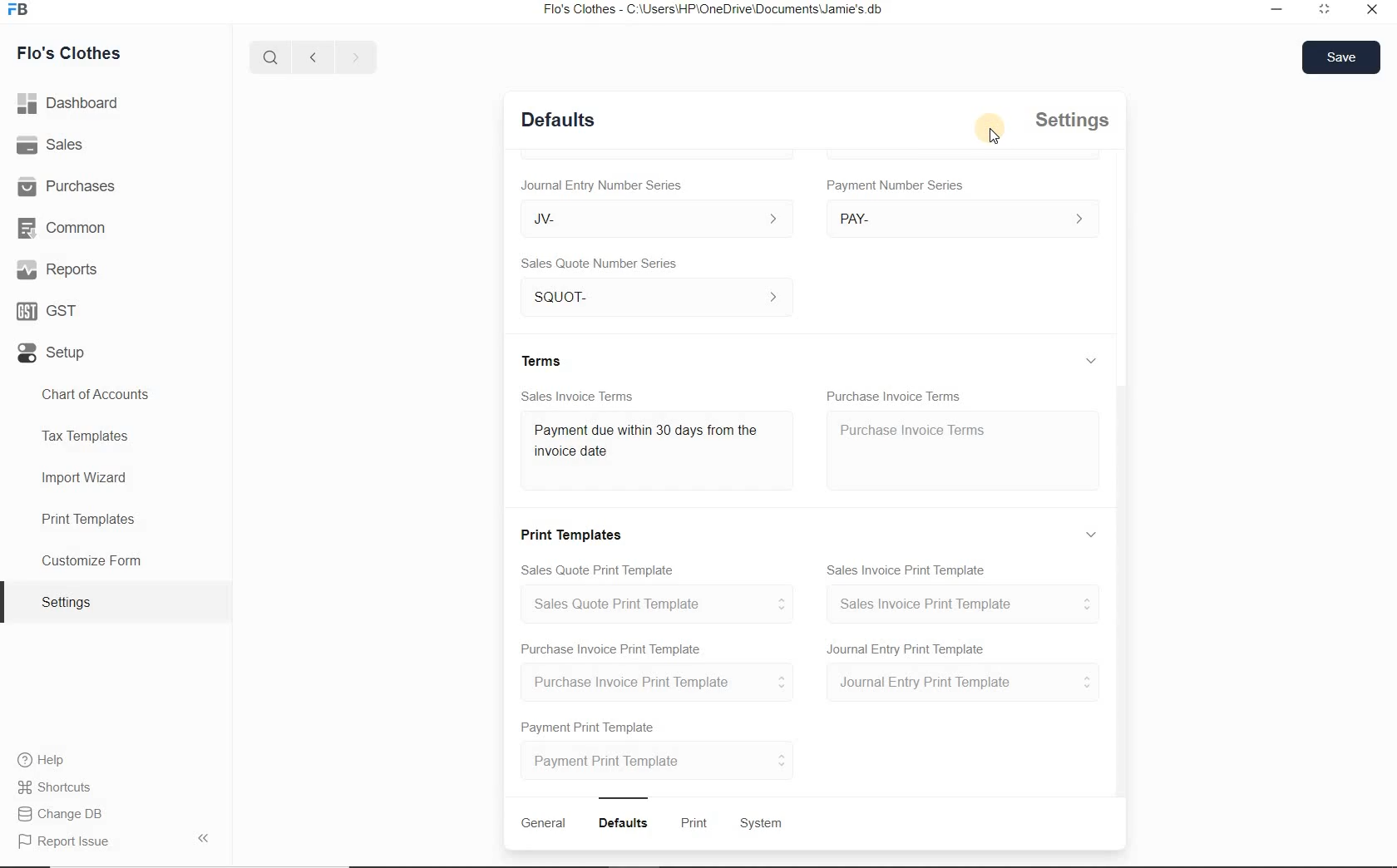  What do you see at coordinates (48, 311) in the screenshot?
I see `GST` at bounding box center [48, 311].